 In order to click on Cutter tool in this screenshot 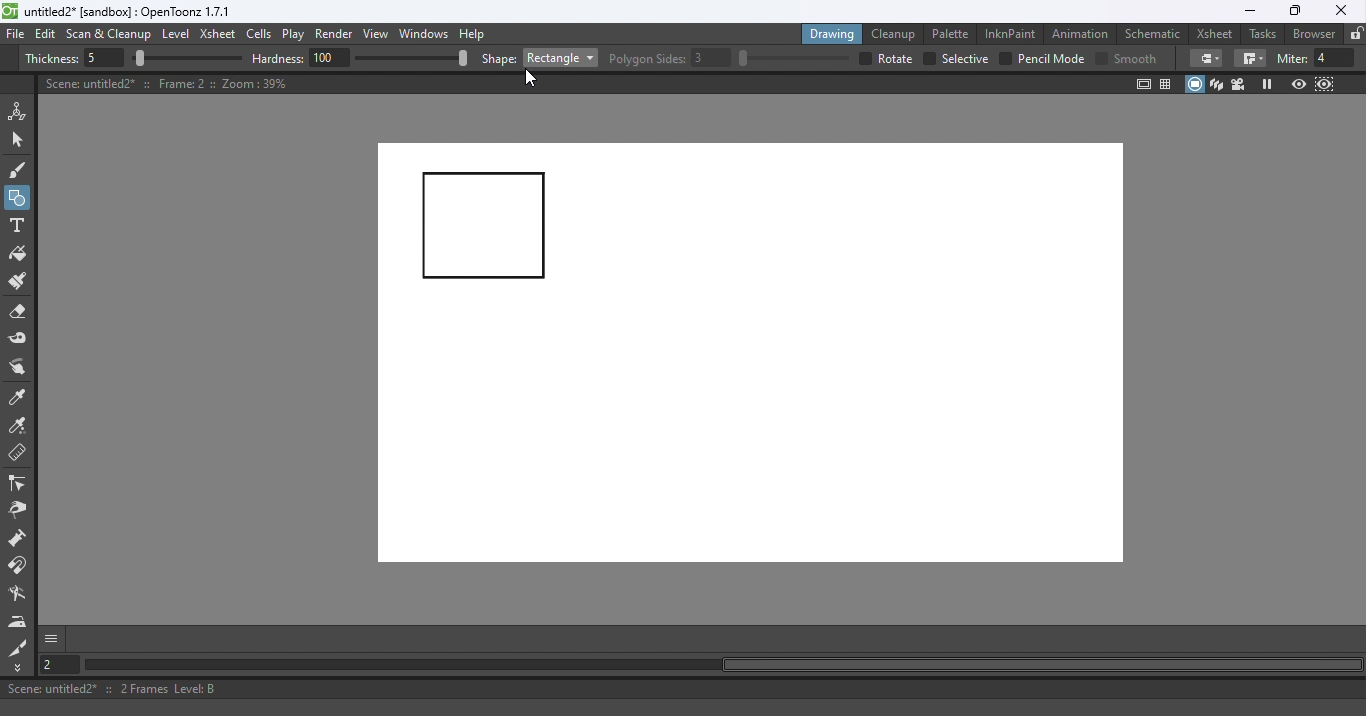, I will do `click(18, 647)`.